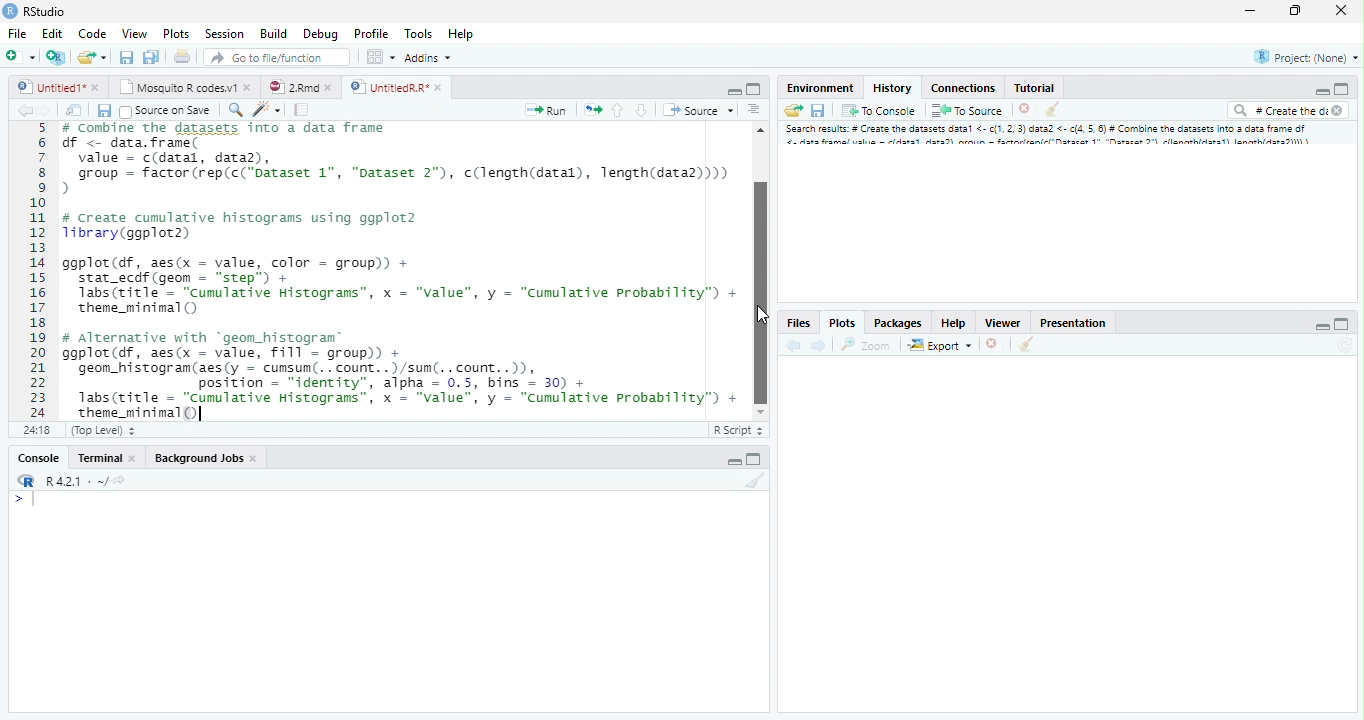  Describe the element at coordinates (1052, 137) in the screenshot. I see `Search result # create dataset data..` at that location.